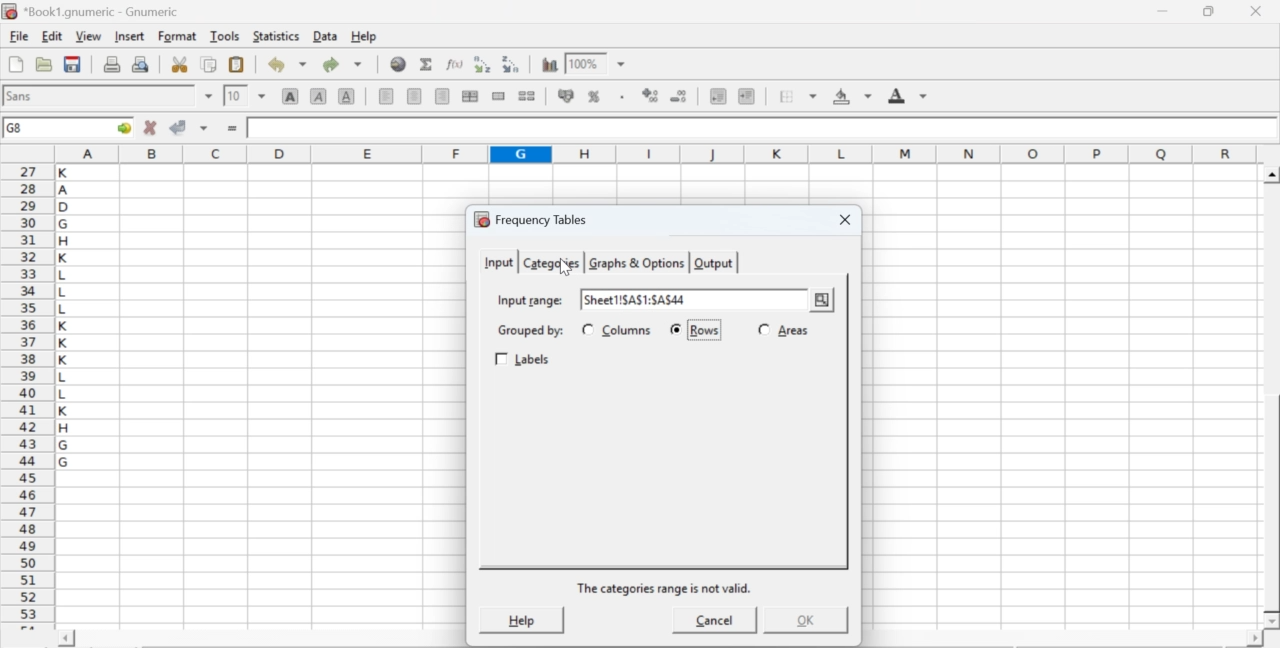 The image size is (1280, 648). I want to click on undo, so click(286, 65).